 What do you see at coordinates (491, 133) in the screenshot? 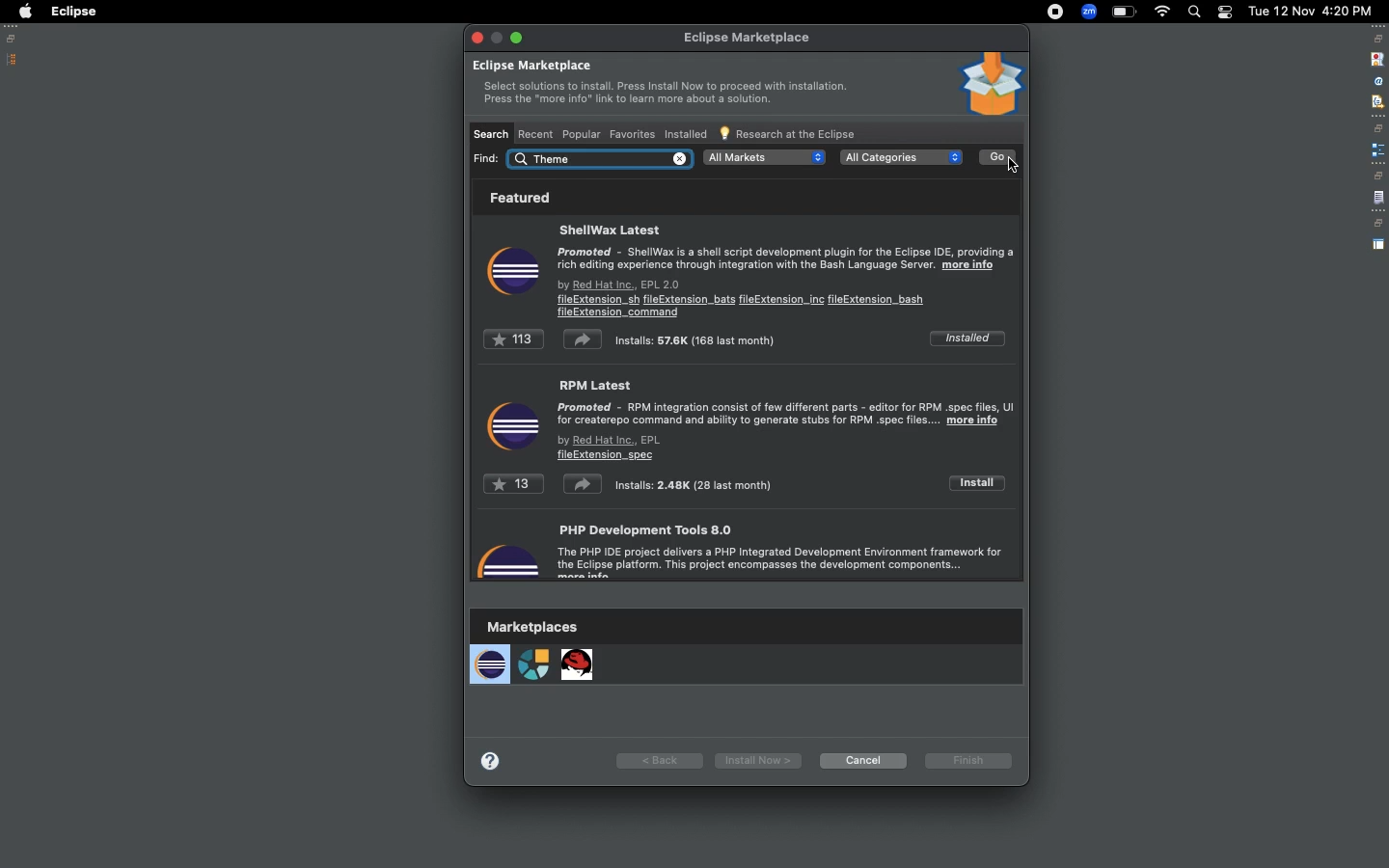
I see `Search` at bounding box center [491, 133].